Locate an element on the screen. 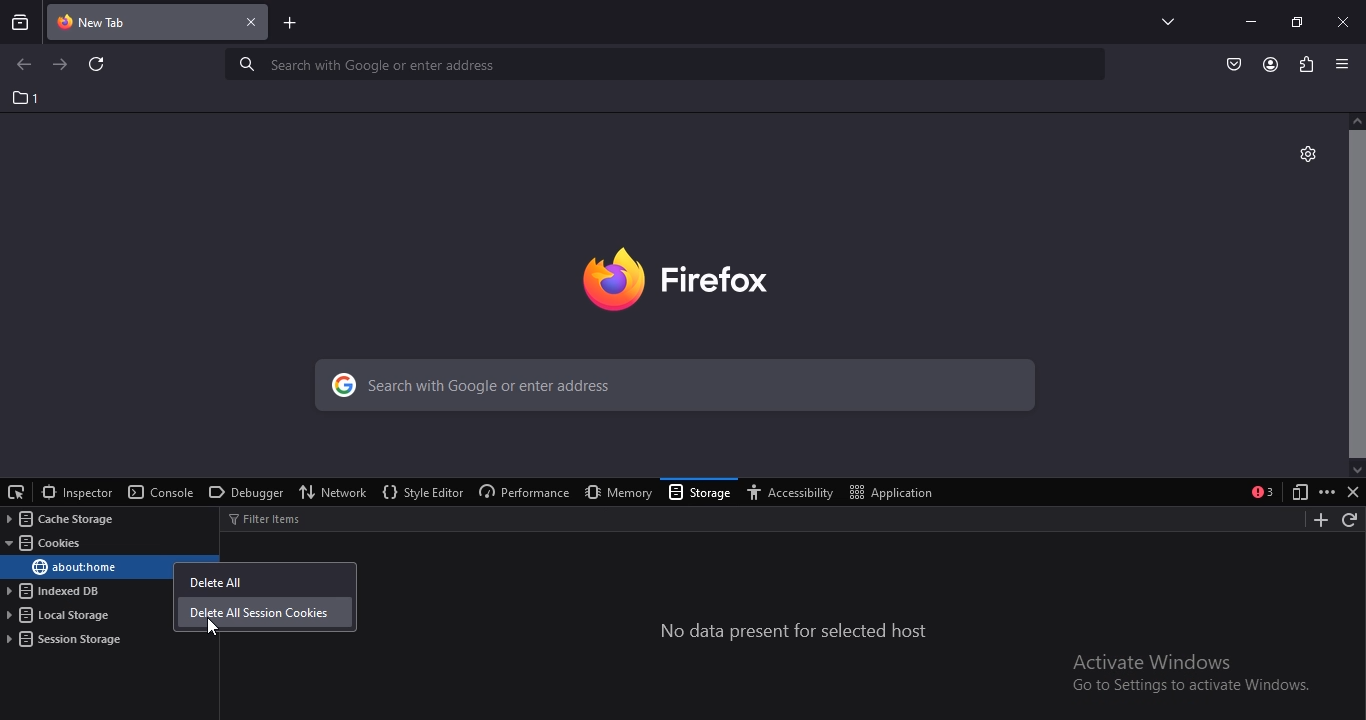 Image resolution: width=1366 pixels, height=720 pixels. close is located at coordinates (1354, 495).